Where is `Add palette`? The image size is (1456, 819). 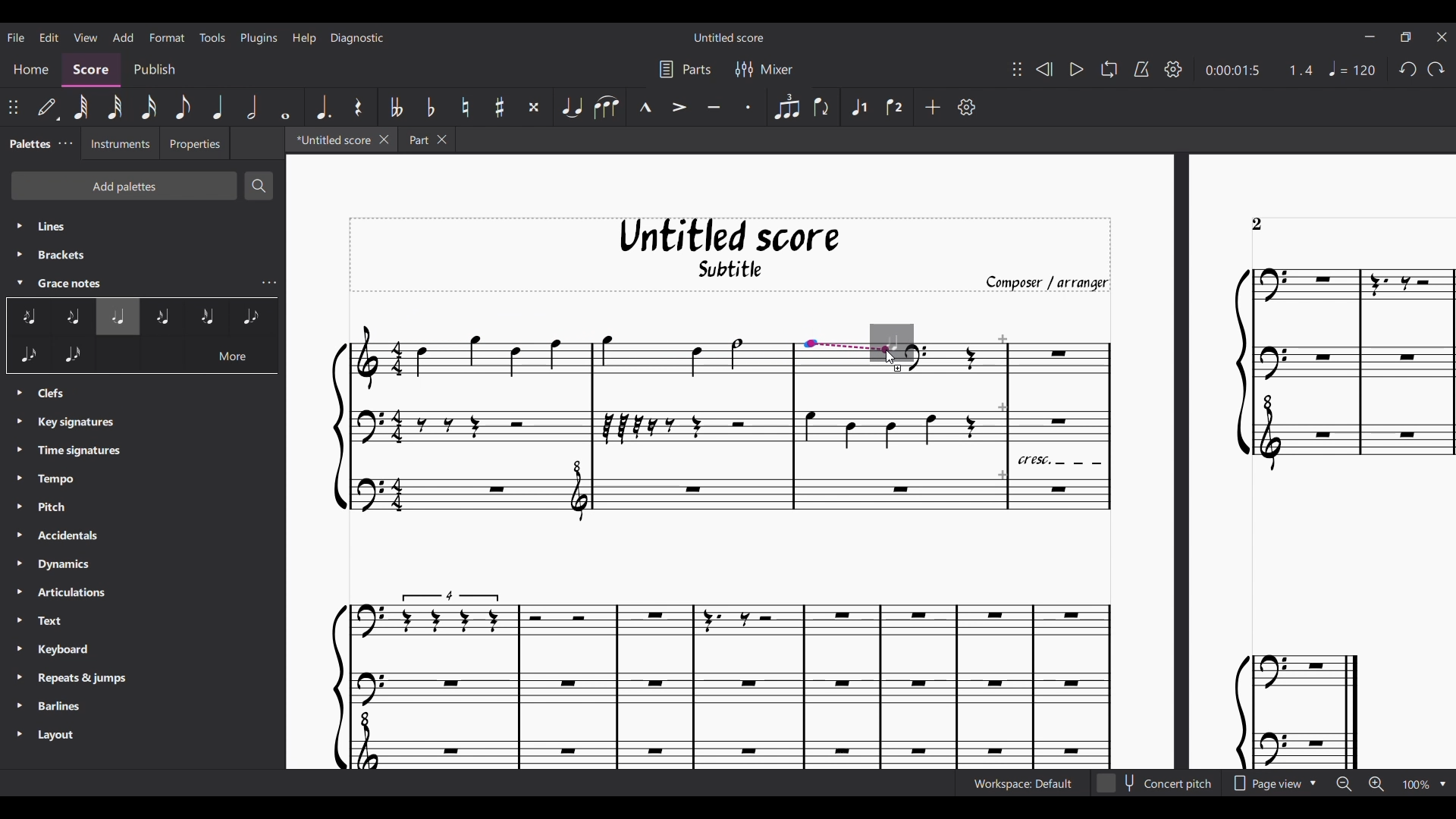 Add palette is located at coordinates (124, 186).